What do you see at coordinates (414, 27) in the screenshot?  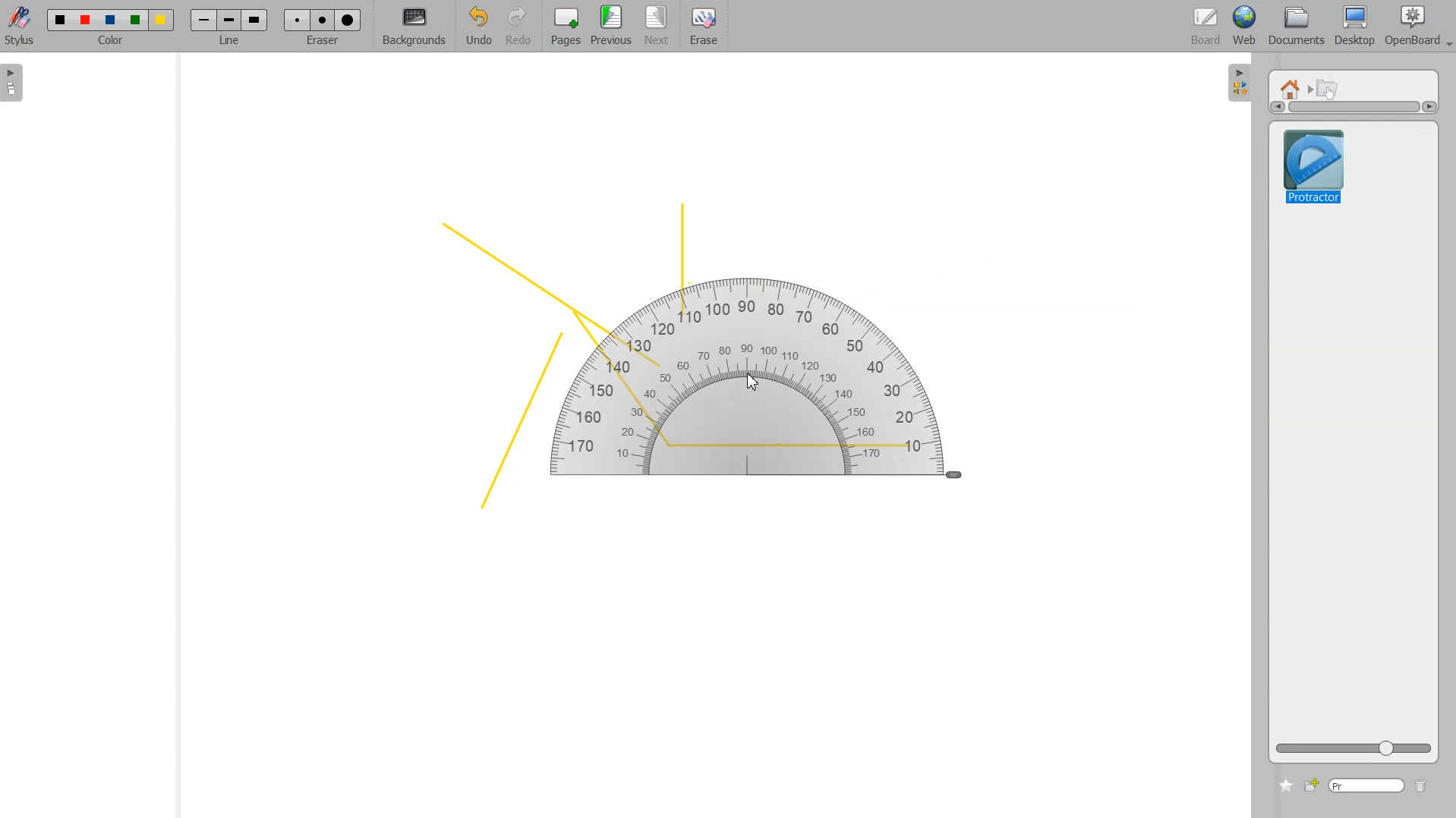 I see `Background` at bounding box center [414, 27].